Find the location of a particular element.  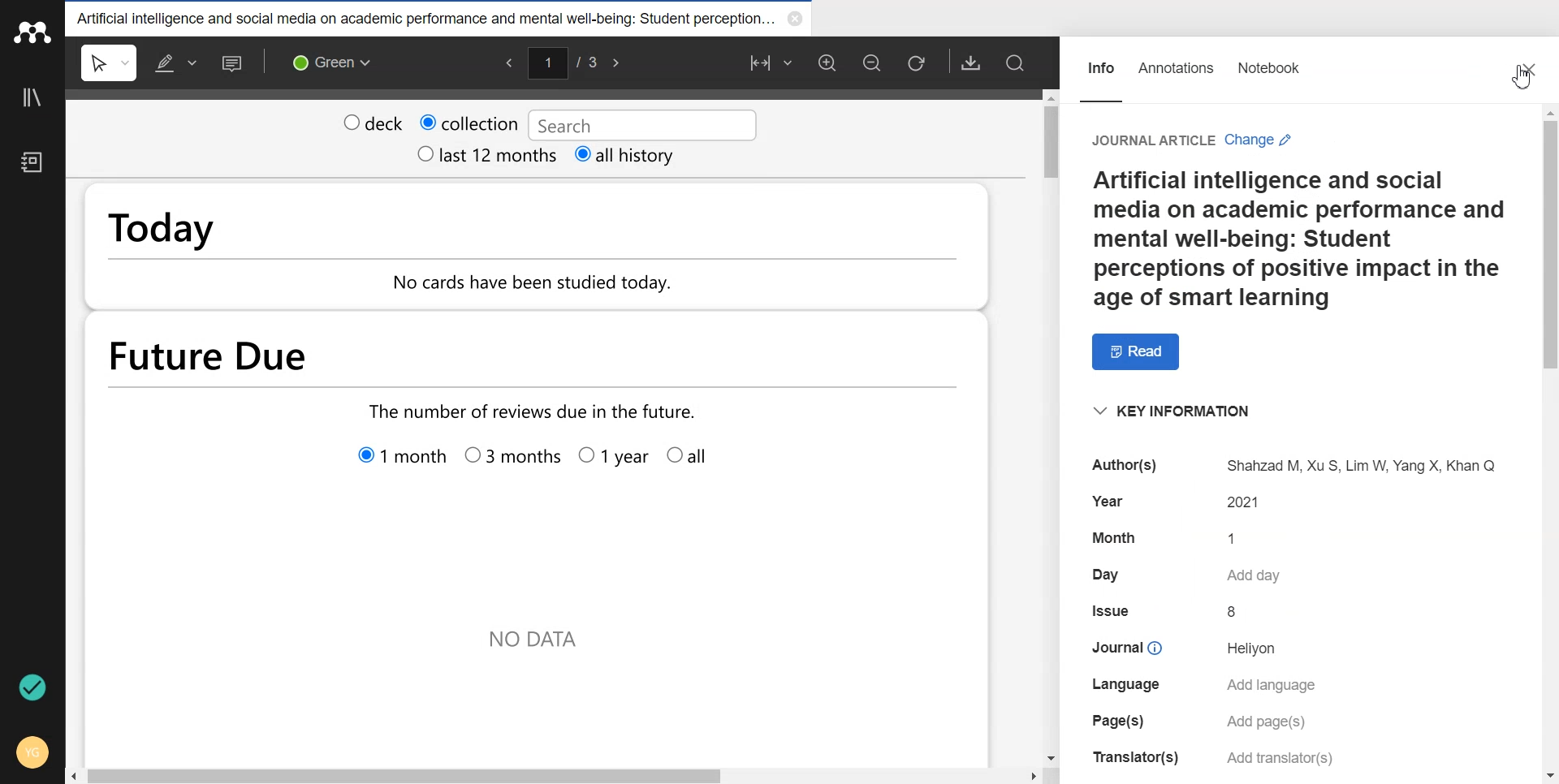

Vertical scroll bar is located at coordinates (1052, 425).